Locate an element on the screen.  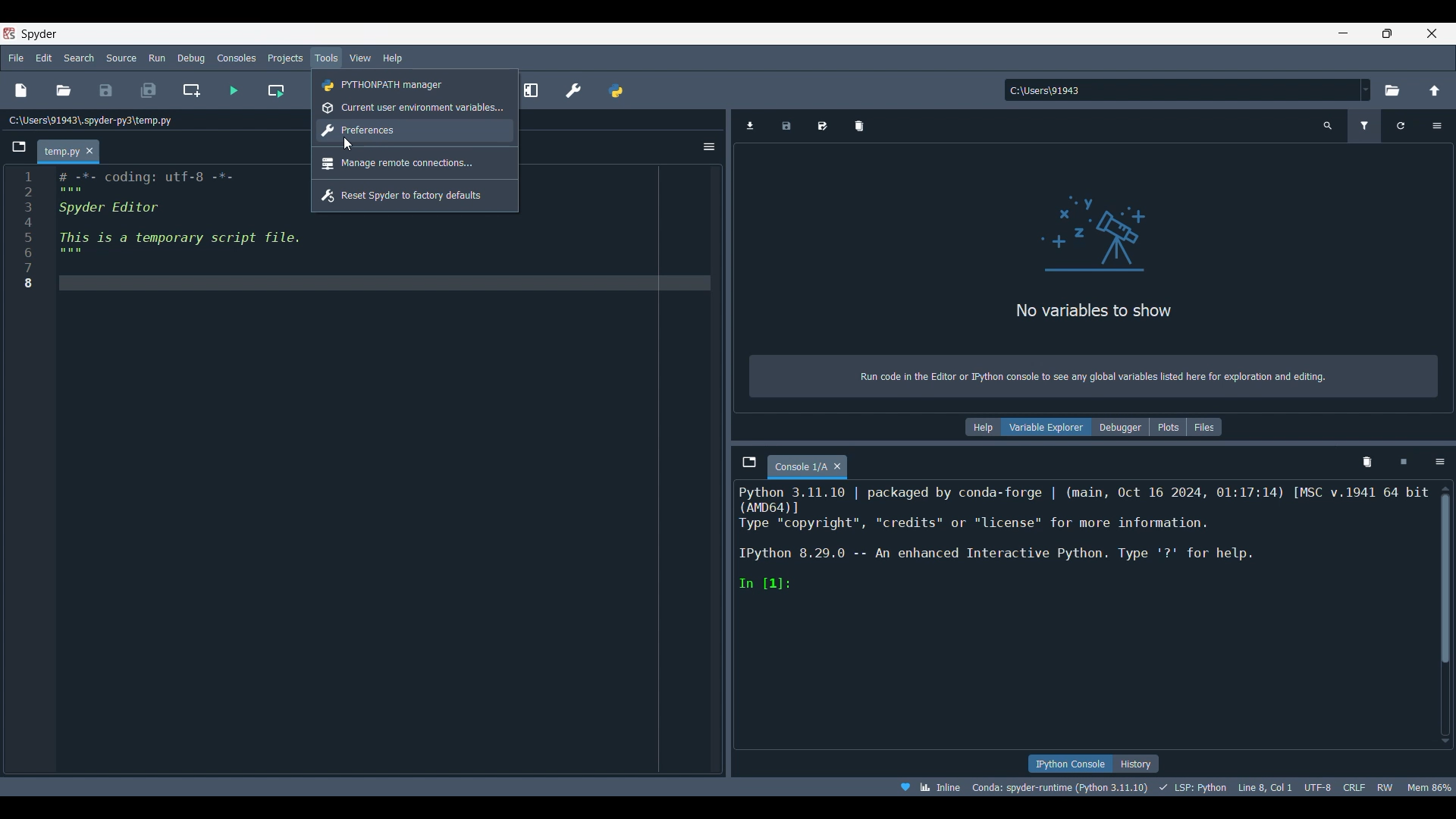
Remove all variables is located at coordinates (860, 126).